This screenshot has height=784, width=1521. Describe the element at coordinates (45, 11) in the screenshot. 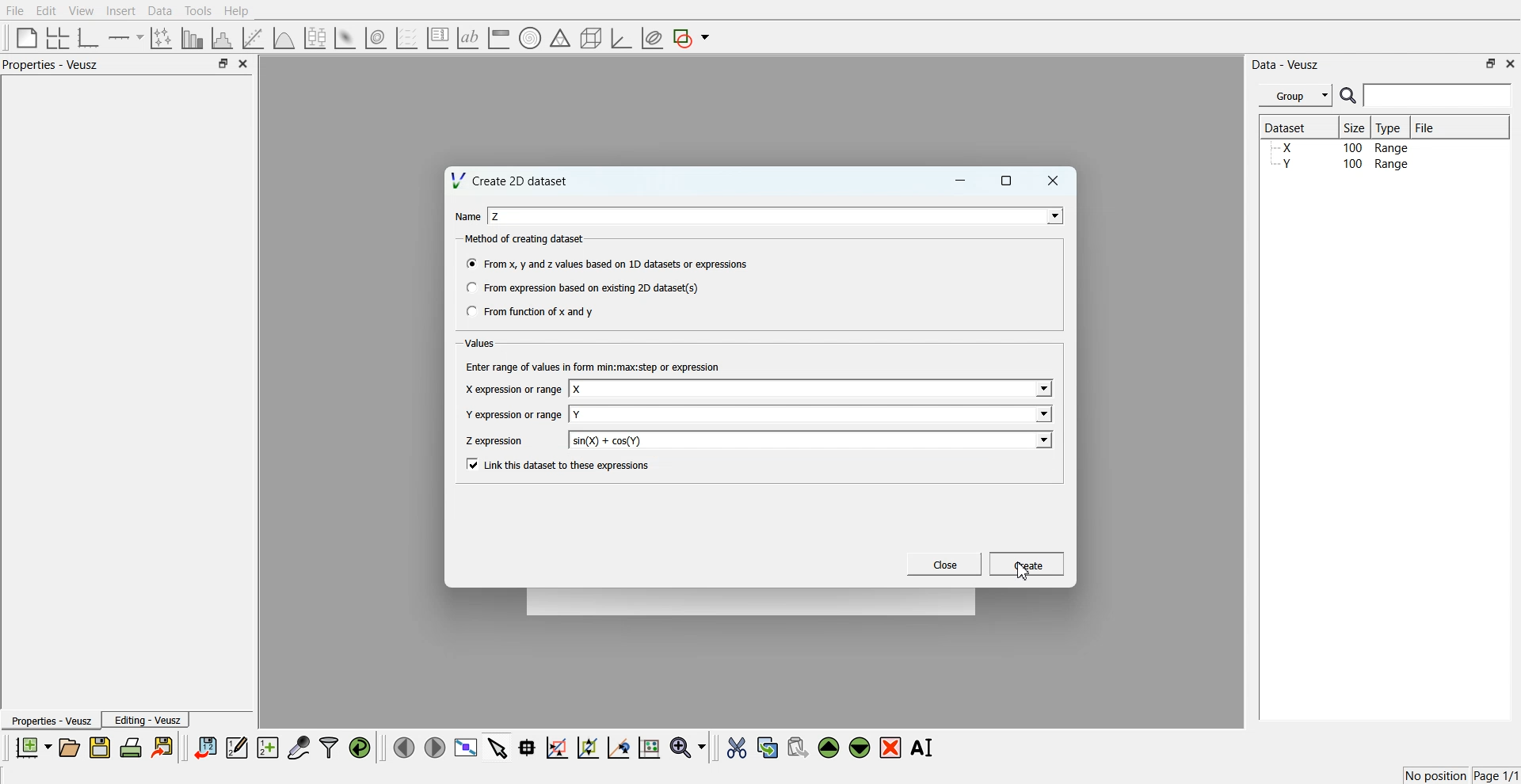

I see `Edit` at that location.